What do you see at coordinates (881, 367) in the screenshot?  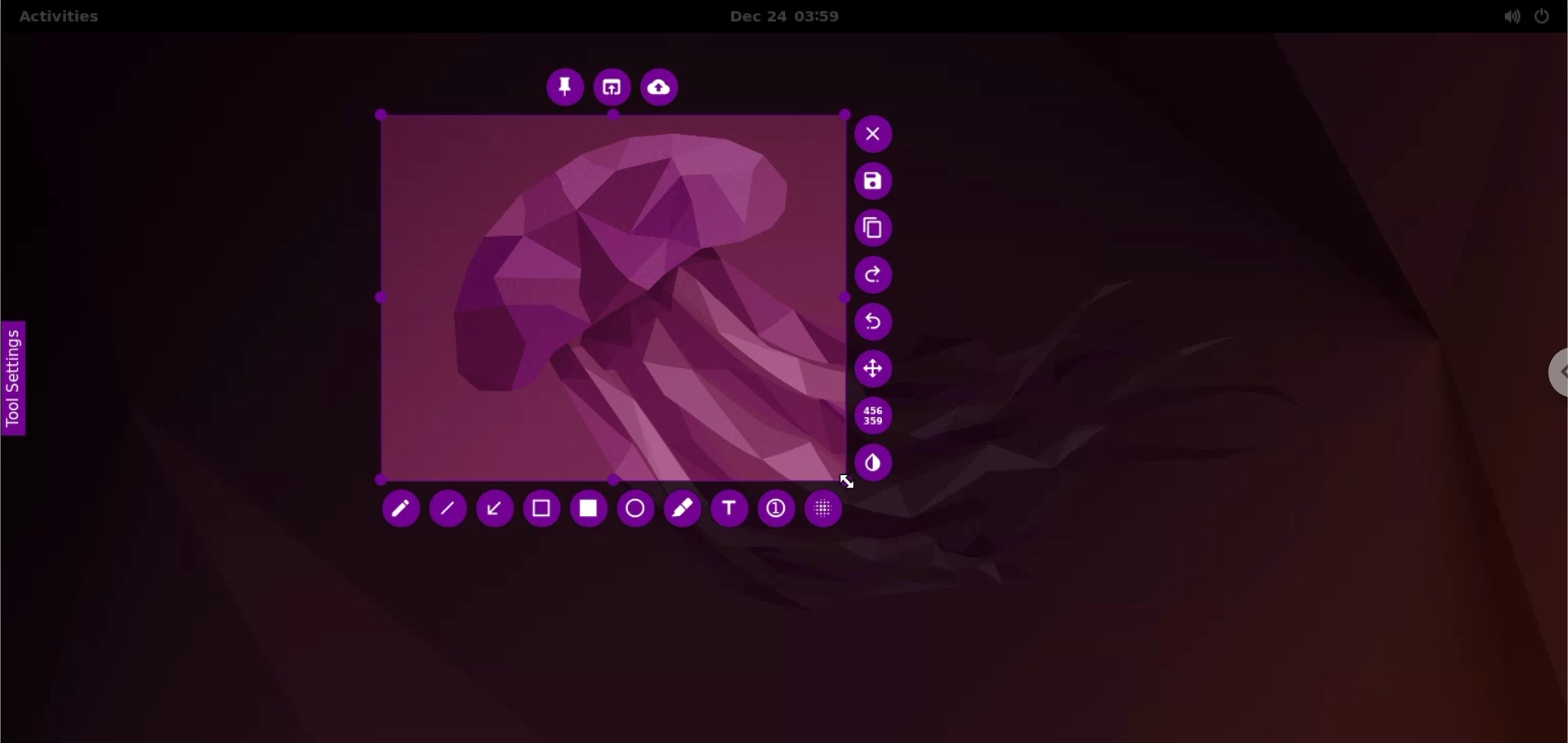 I see `move selection` at bounding box center [881, 367].